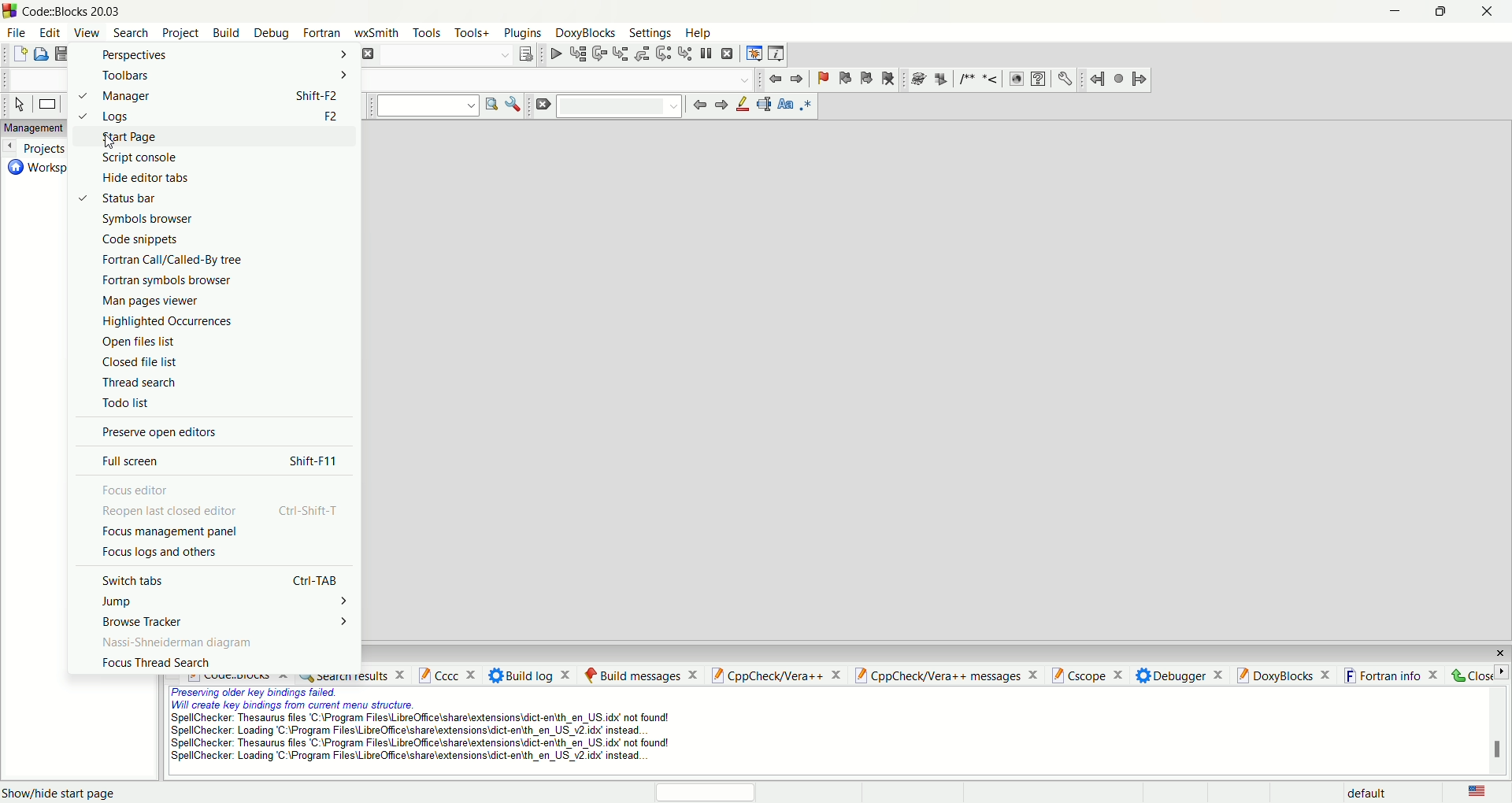 The height and width of the screenshot is (803, 1512). I want to click on Search, so click(445, 56).